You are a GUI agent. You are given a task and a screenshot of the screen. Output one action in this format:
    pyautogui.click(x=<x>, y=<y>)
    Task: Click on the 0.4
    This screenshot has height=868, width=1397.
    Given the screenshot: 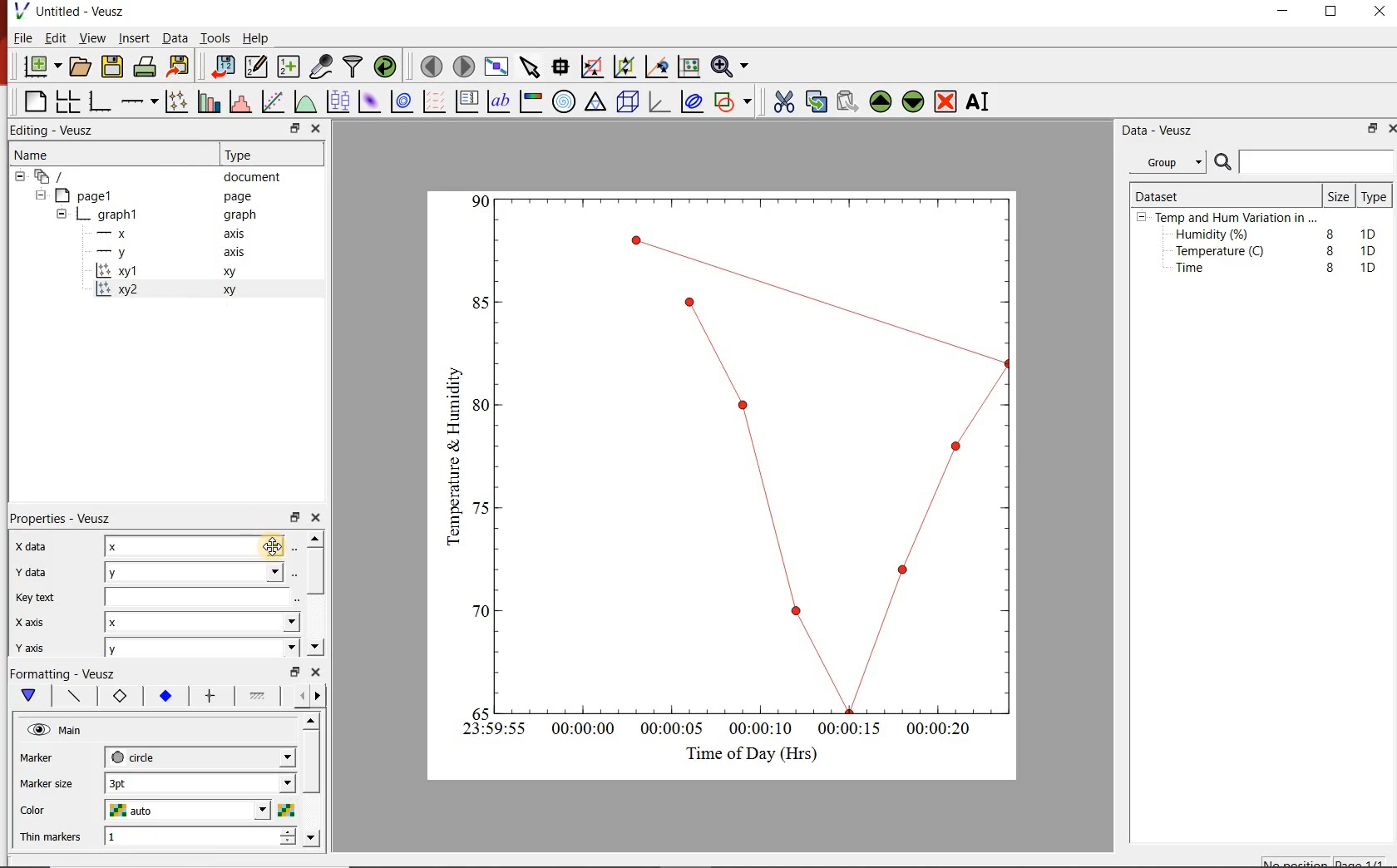 What is the action you would take?
    pyautogui.click(x=481, y=508)
    